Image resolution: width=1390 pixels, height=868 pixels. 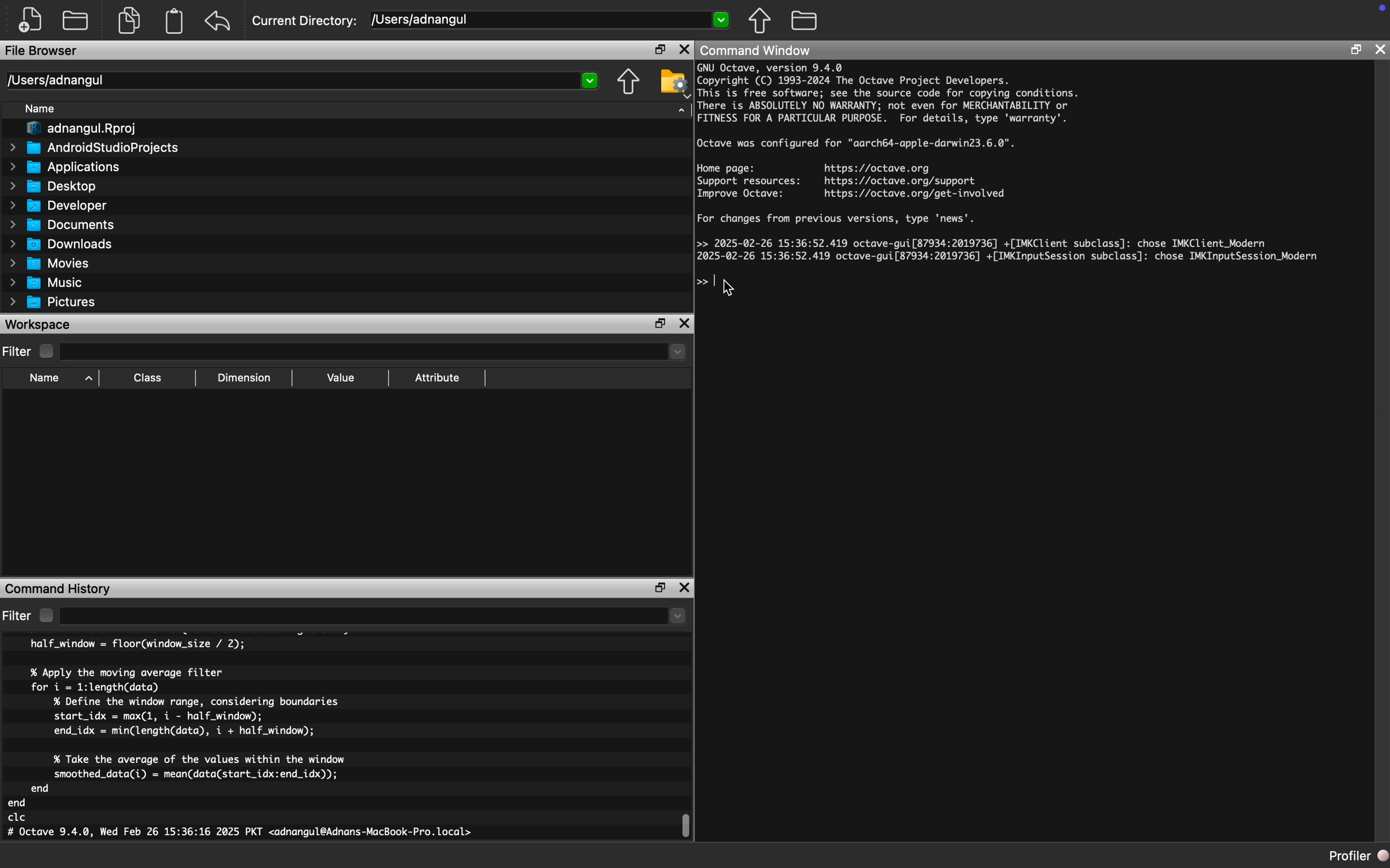 I want to click on Clipboard, so click(x=176, y=21).